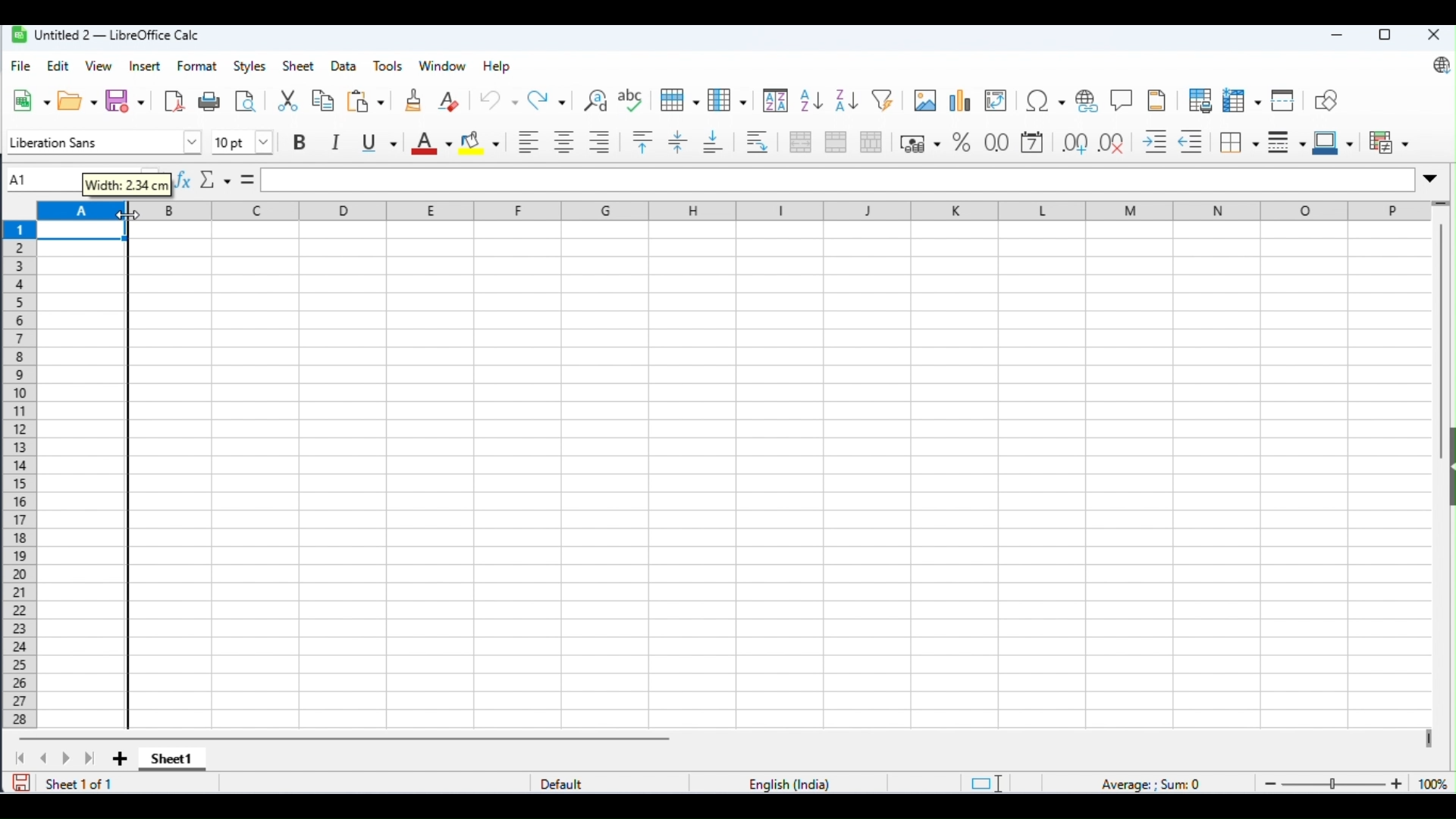 The image size is (1456, 819). I want to click on cut, so click(287, 100).